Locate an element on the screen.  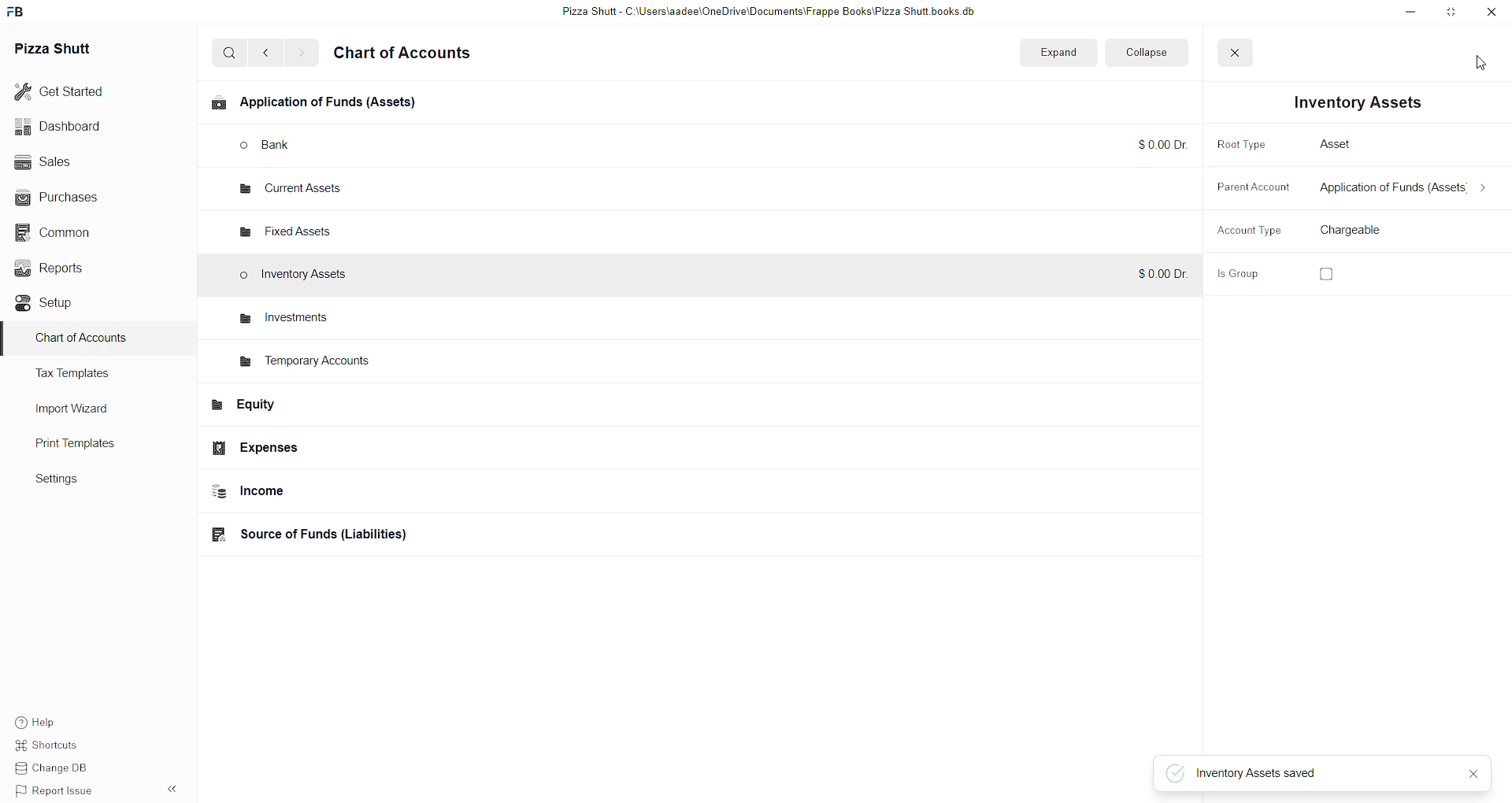
settings  is located at coordinates (72, 483).